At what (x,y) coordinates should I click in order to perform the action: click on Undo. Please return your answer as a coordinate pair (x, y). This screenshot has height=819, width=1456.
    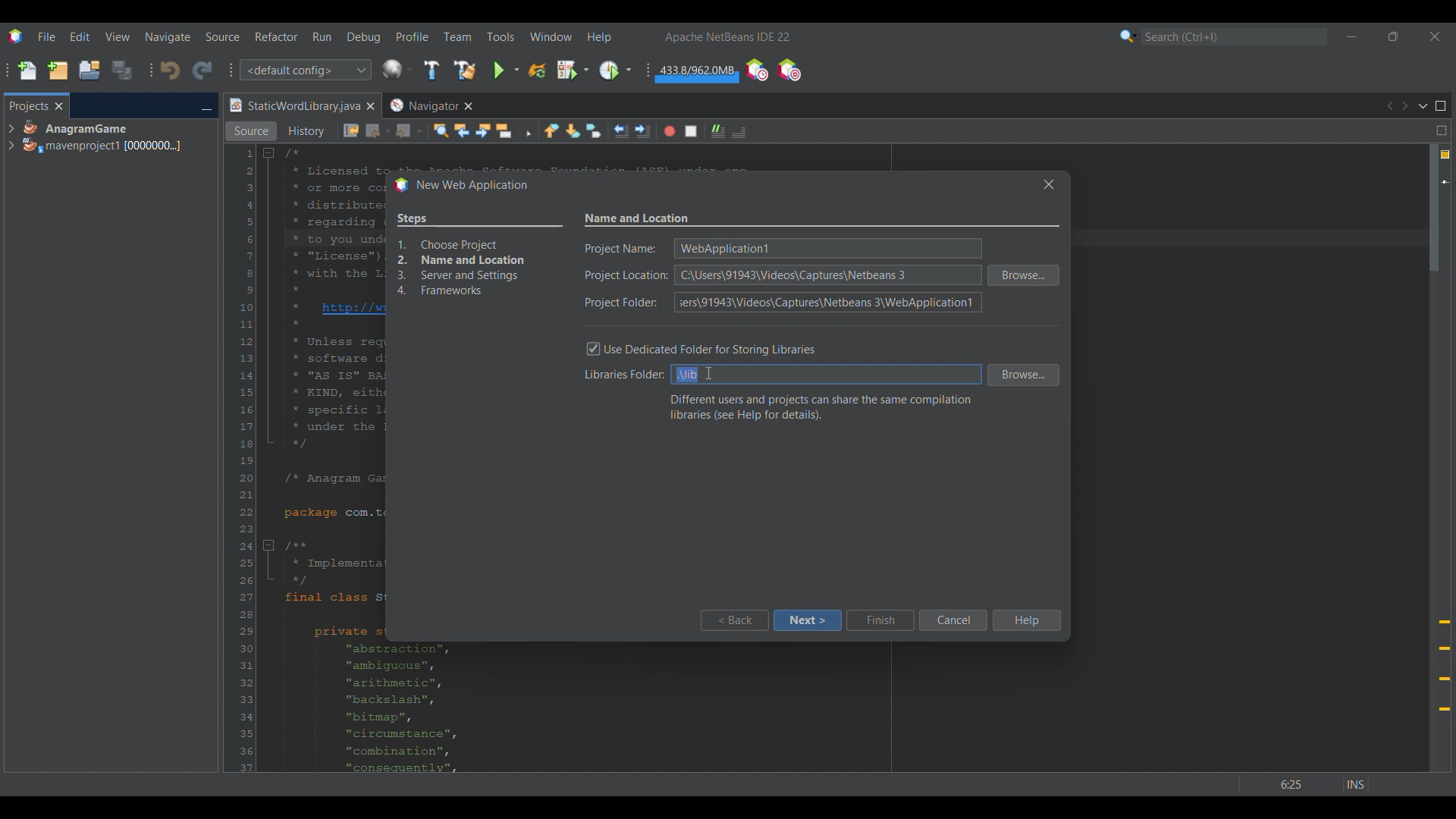
    Looking at the image, I should click on (170, 71).